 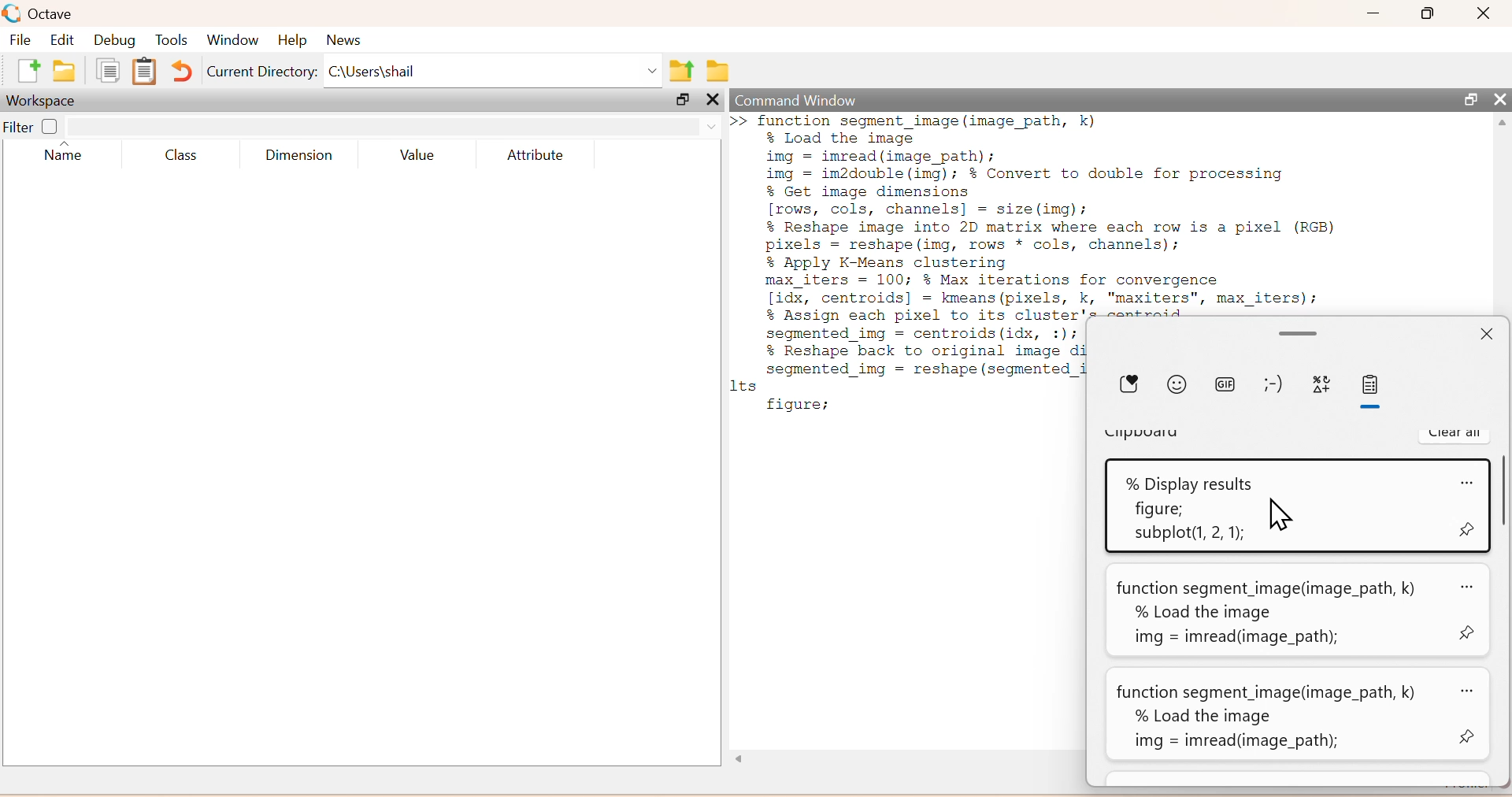 What do you see at coordinates (495, 74) in the screenshot?
I see `C:\Users\shail ` at bounding box center [495, 74].